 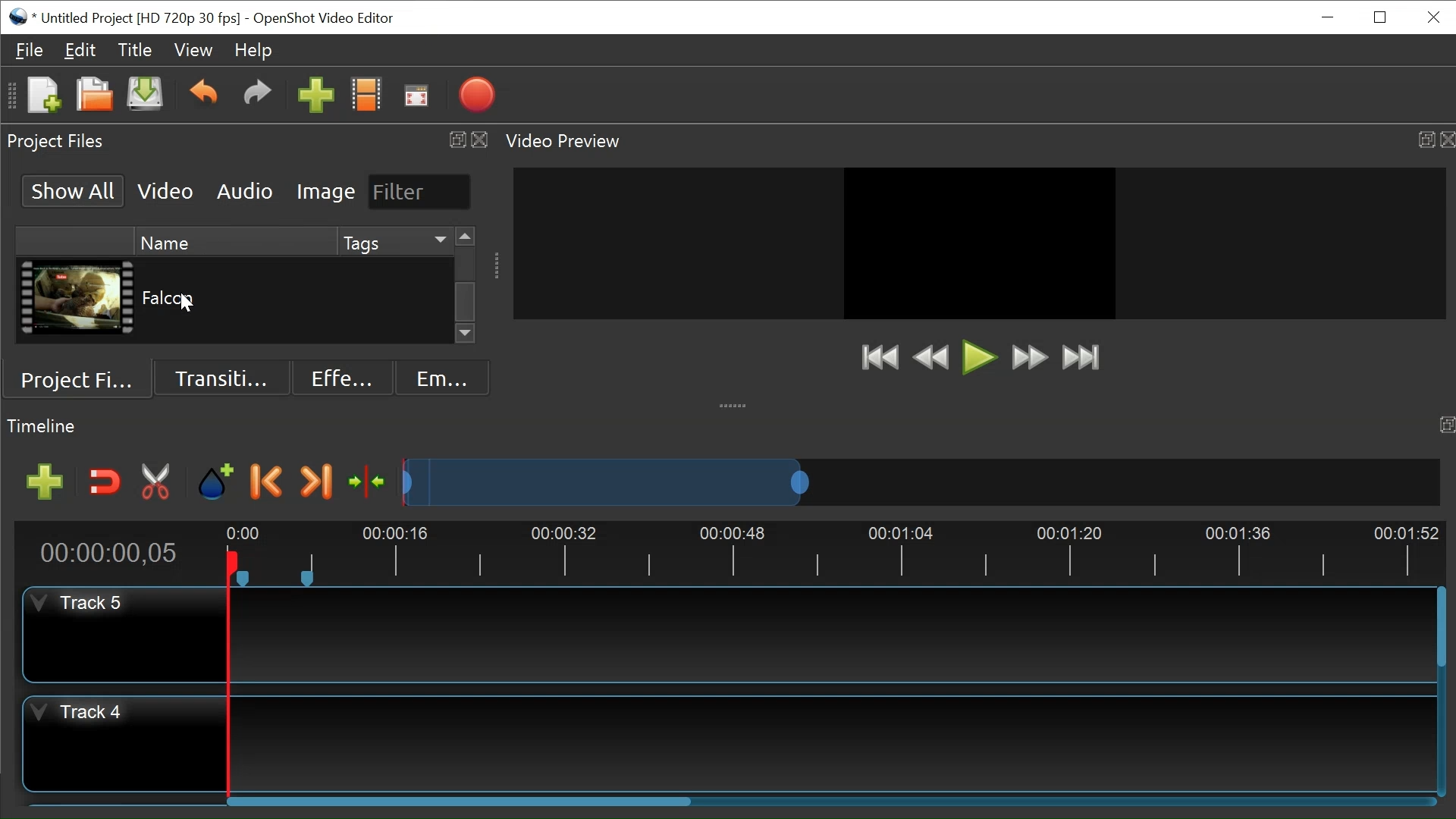 What do you see at coordinates (1380, 16) in the screenshot?
I see `Restore` at bounding box center [1380, 16].